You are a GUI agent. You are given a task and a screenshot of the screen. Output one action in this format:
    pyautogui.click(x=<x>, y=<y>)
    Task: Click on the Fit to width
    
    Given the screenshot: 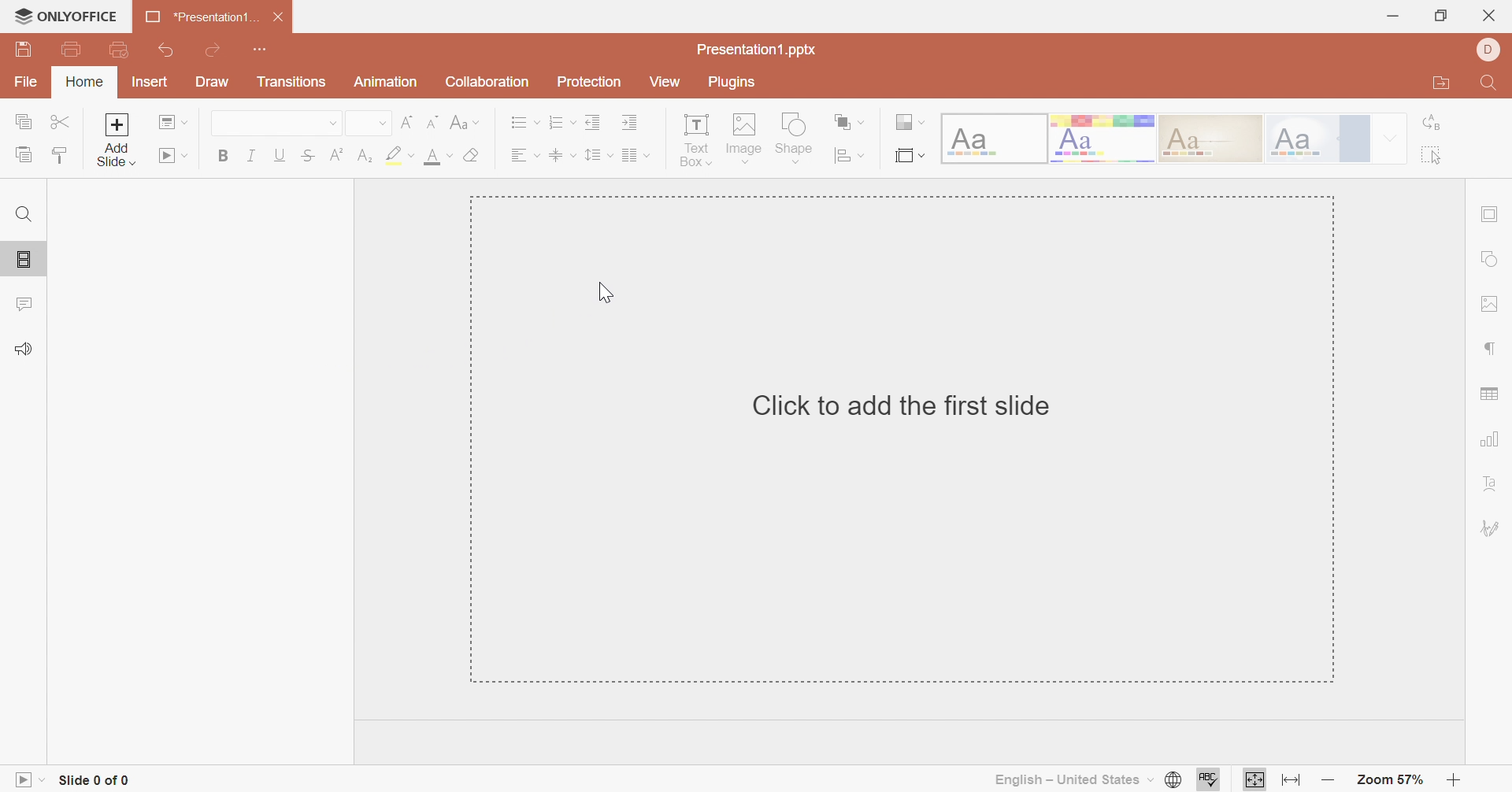 What is the action you would take?
    pyautogui.click(x=1291, y=781)
    